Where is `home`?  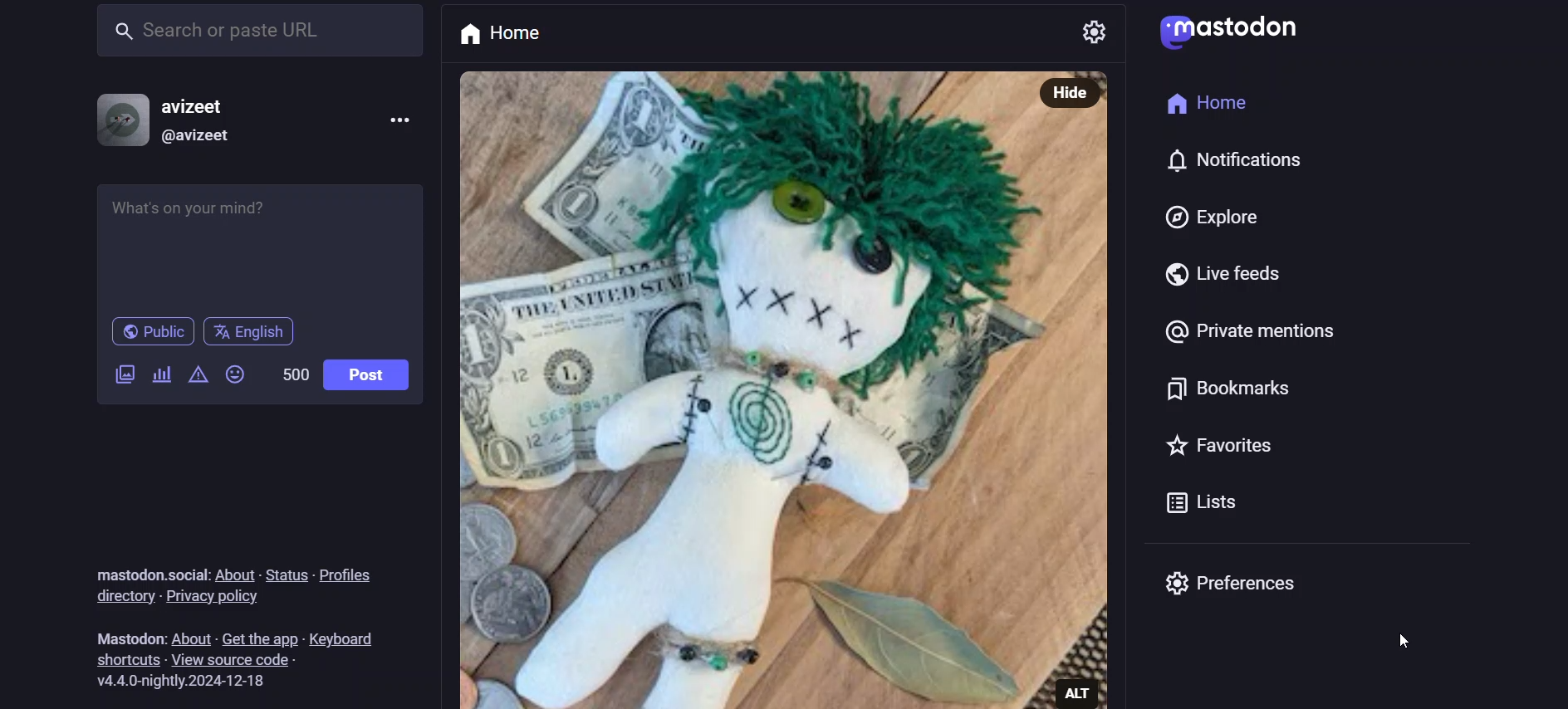 home is located at coordinates (1205, 101).